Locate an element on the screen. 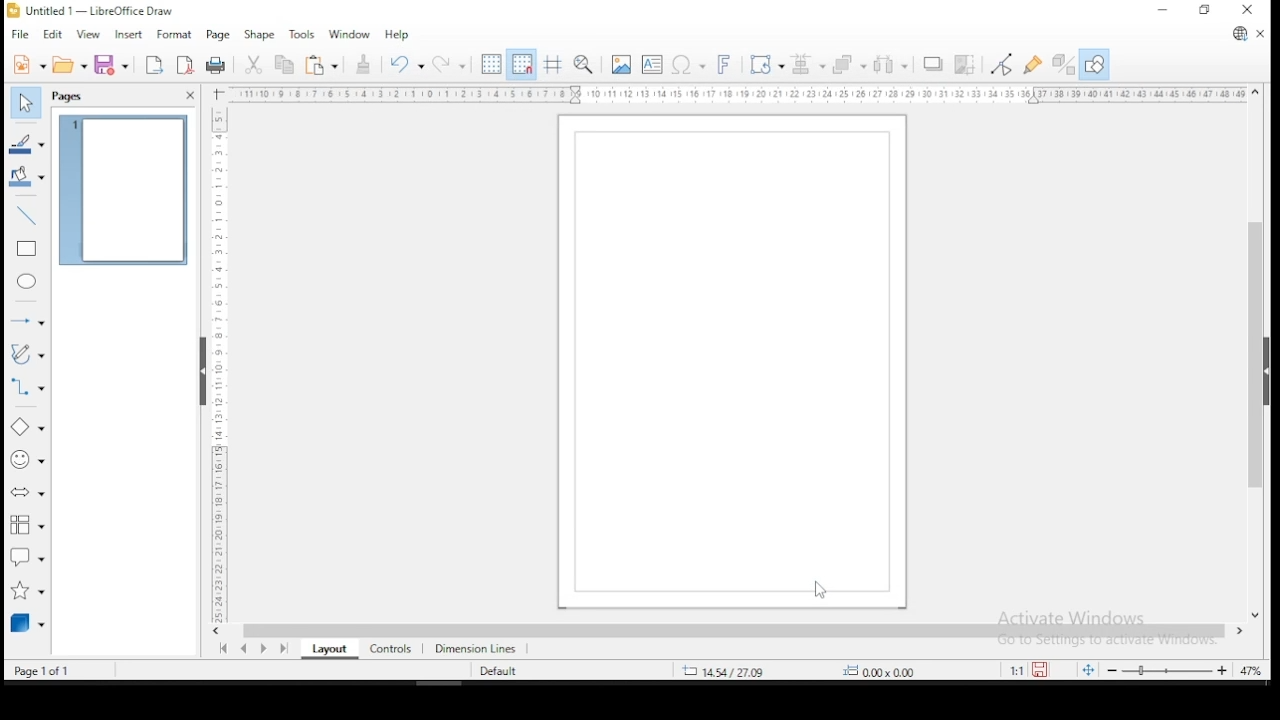  page 1 is located at coordinates (121, 191).